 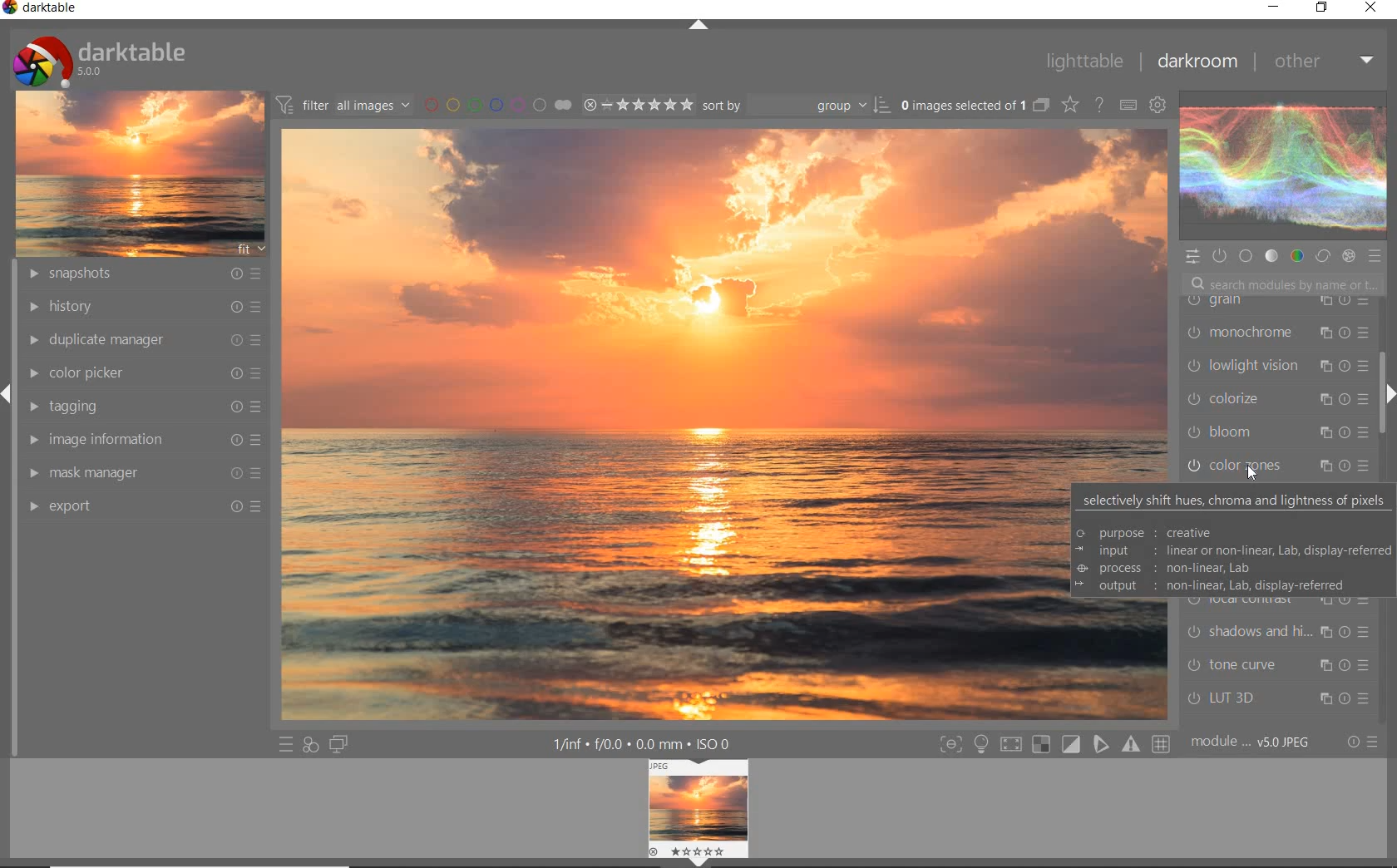 What do you see at coordinates (1069, 104) in the screenshot?
I see `CHANGE TYPE FOR OVER RELAY` at bounding box center [1069, 104].